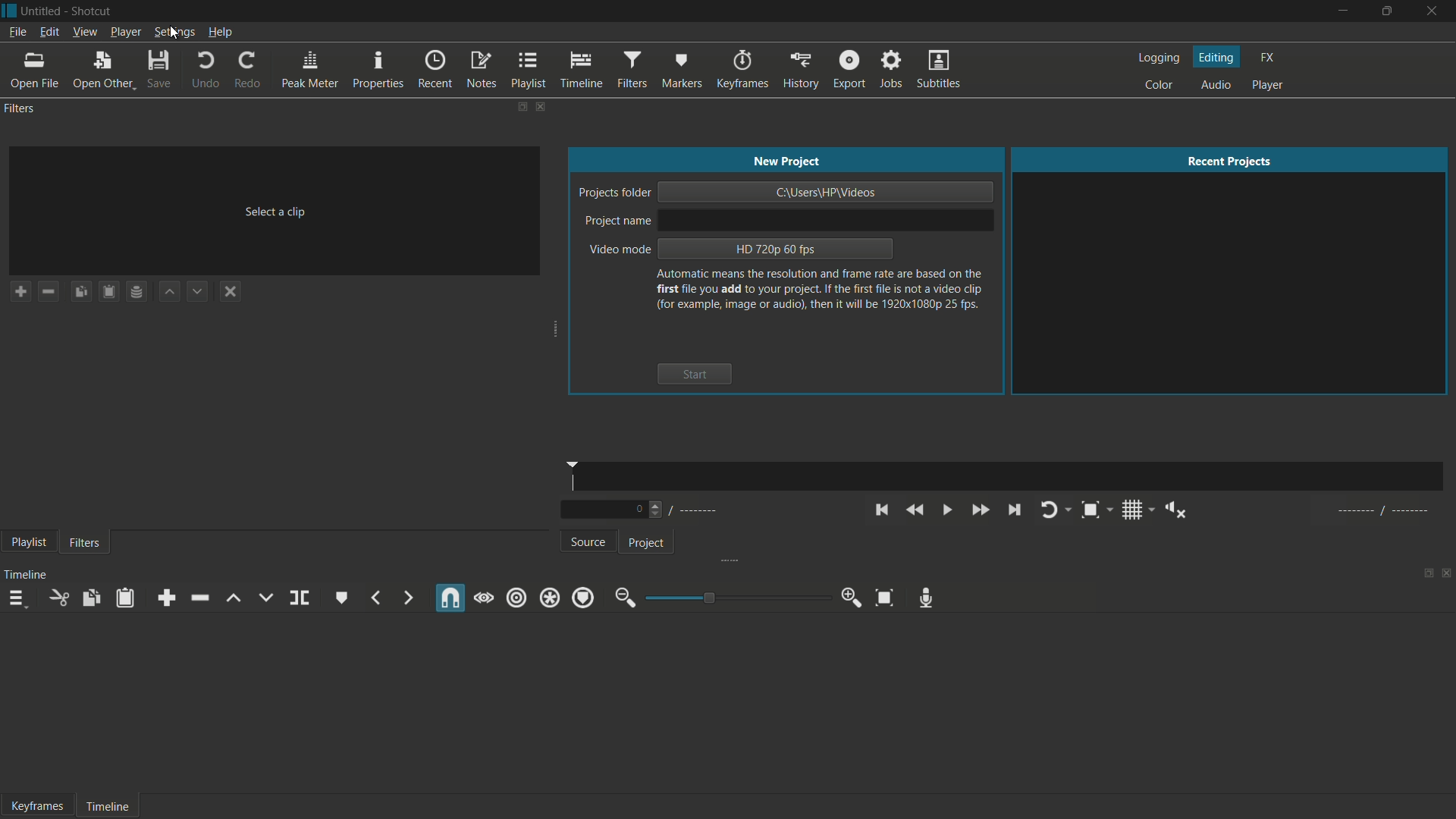 This screenshot has width=1456, height=819. I want to click on Keyframe, so click(33, 805).